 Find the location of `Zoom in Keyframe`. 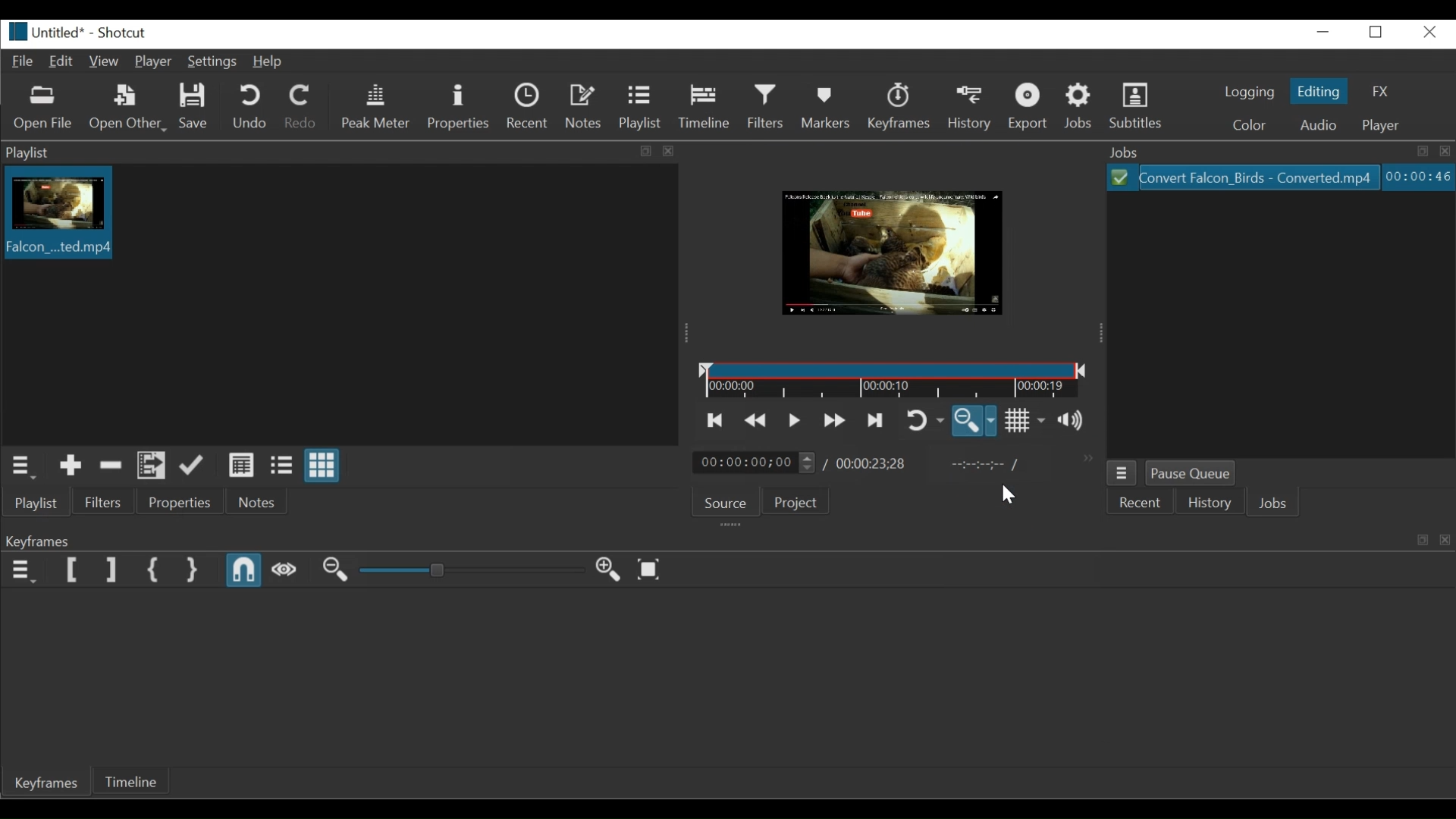

Zoom in Keyframe is located at coordinates (336, 571).